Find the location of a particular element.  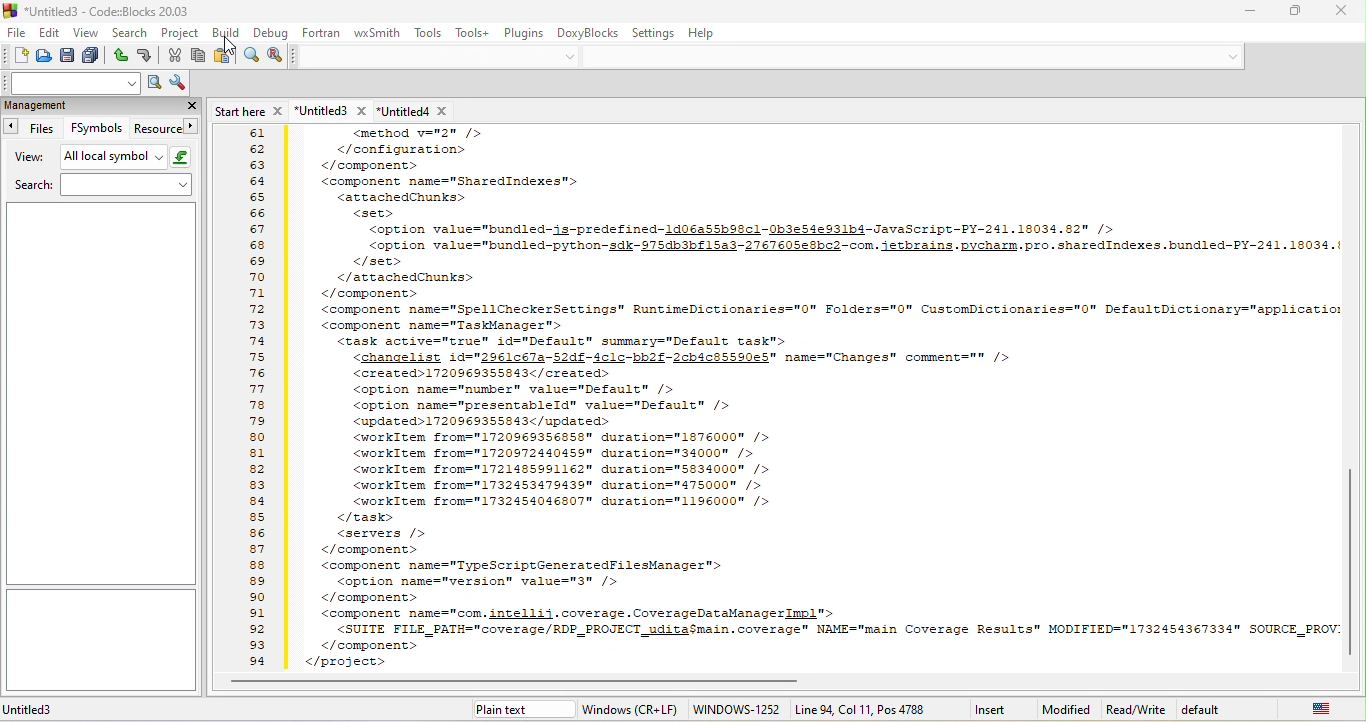

plain text is located at coordinates (515, 710).